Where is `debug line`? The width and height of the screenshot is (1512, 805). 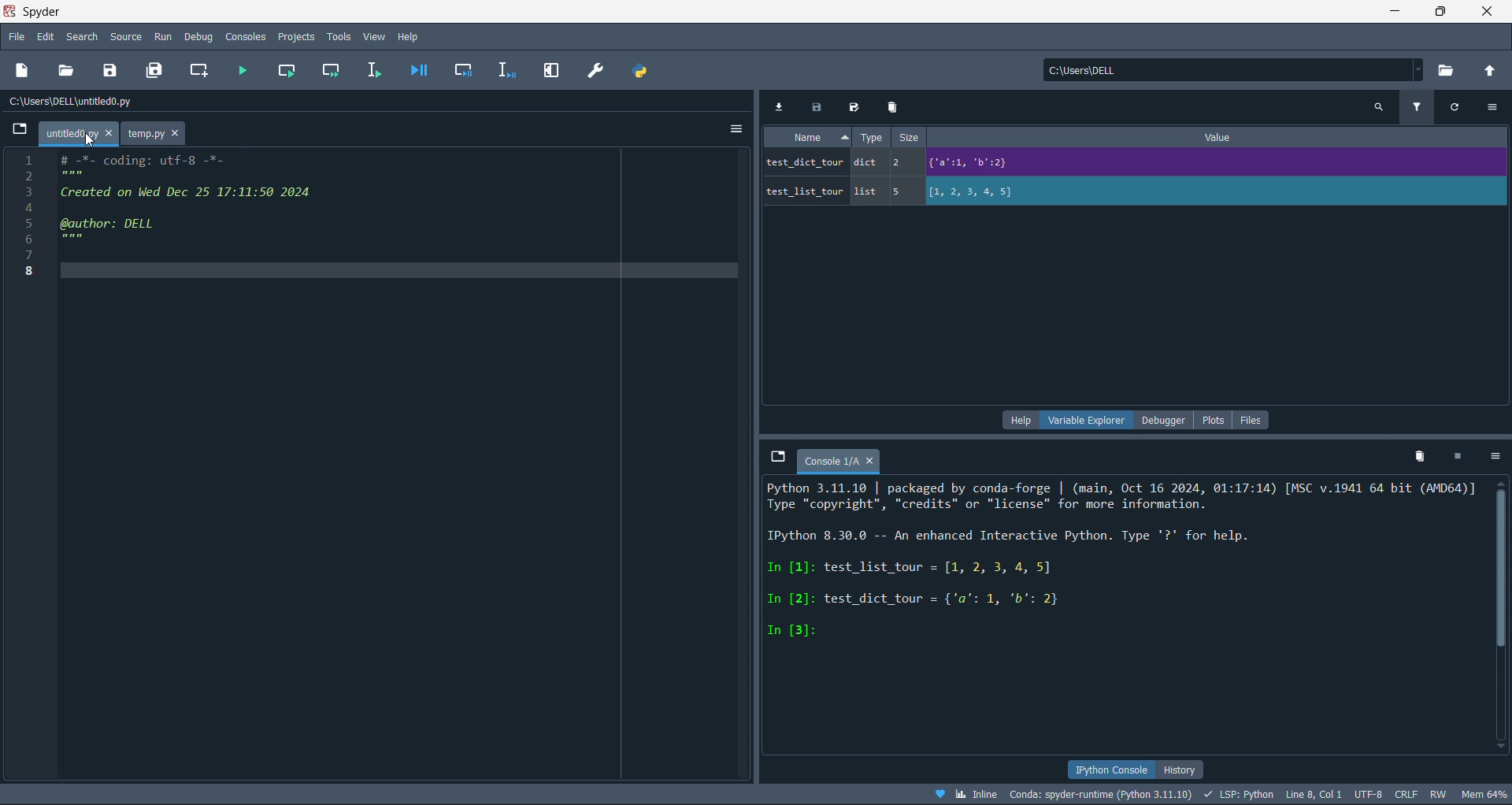 debug line is located at coordinates (502, 69).